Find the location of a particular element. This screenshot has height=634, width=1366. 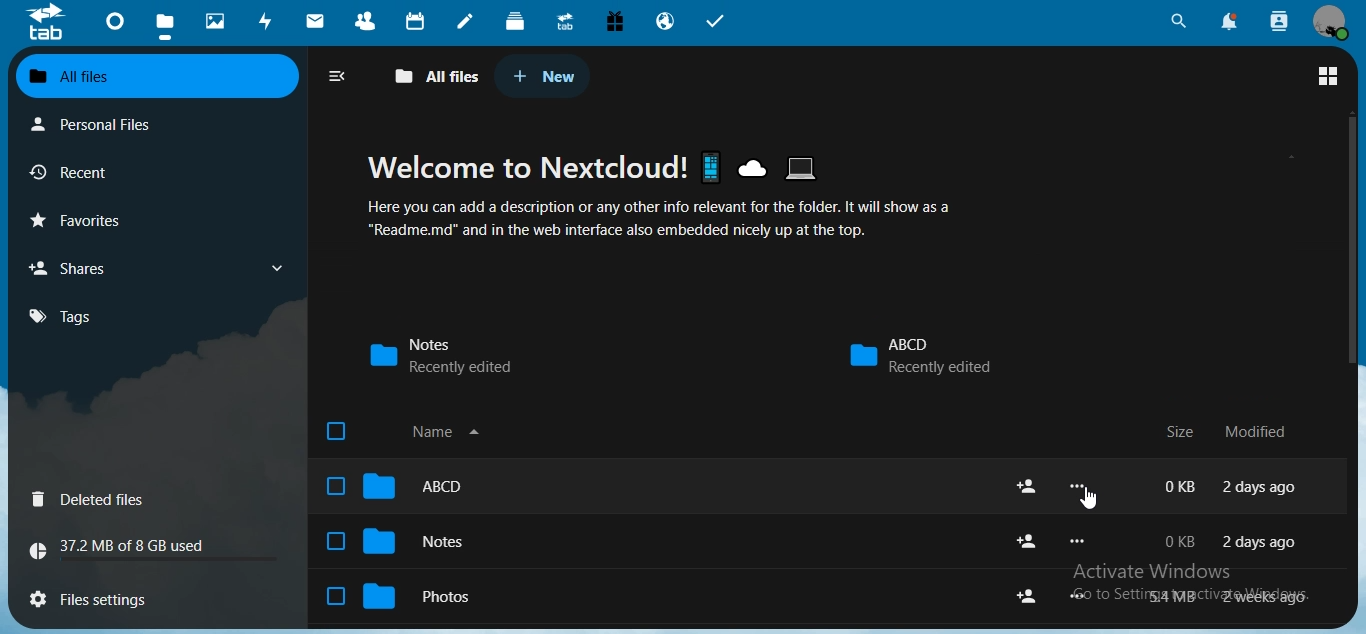

new is located at coordinates (540, 72).